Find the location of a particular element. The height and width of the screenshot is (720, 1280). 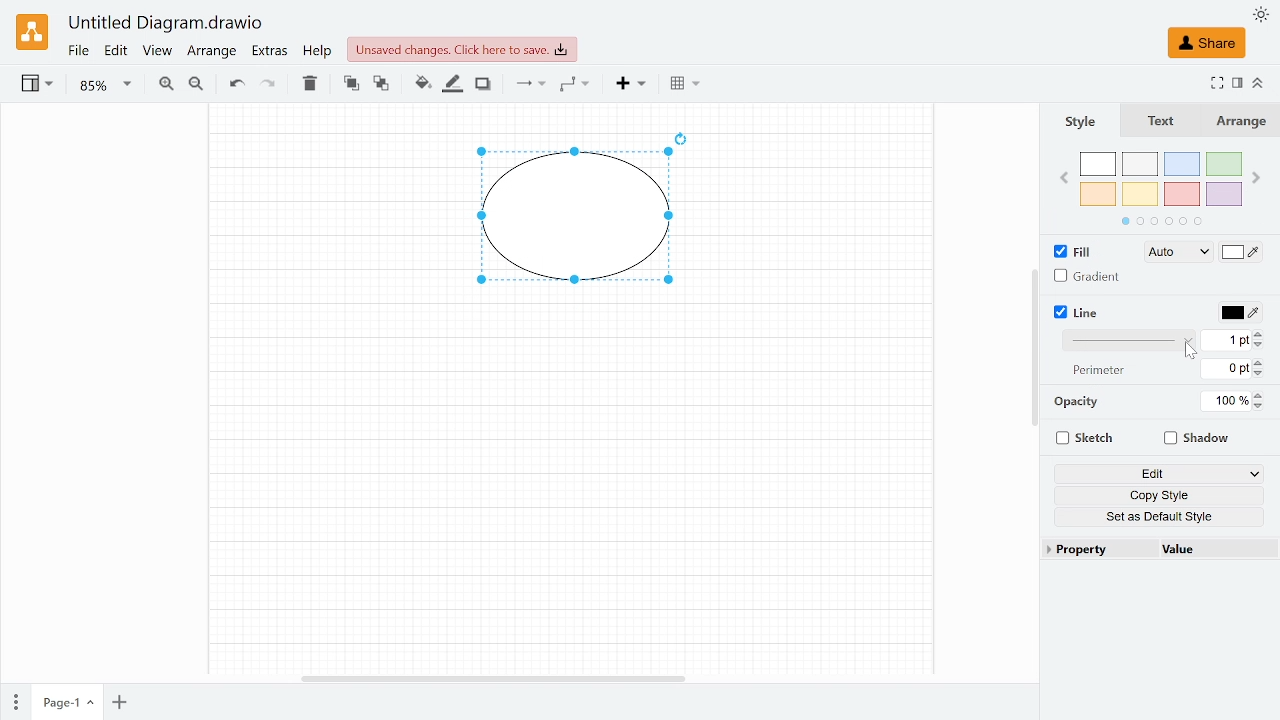

Fill line is located at coordinates (450, 85).